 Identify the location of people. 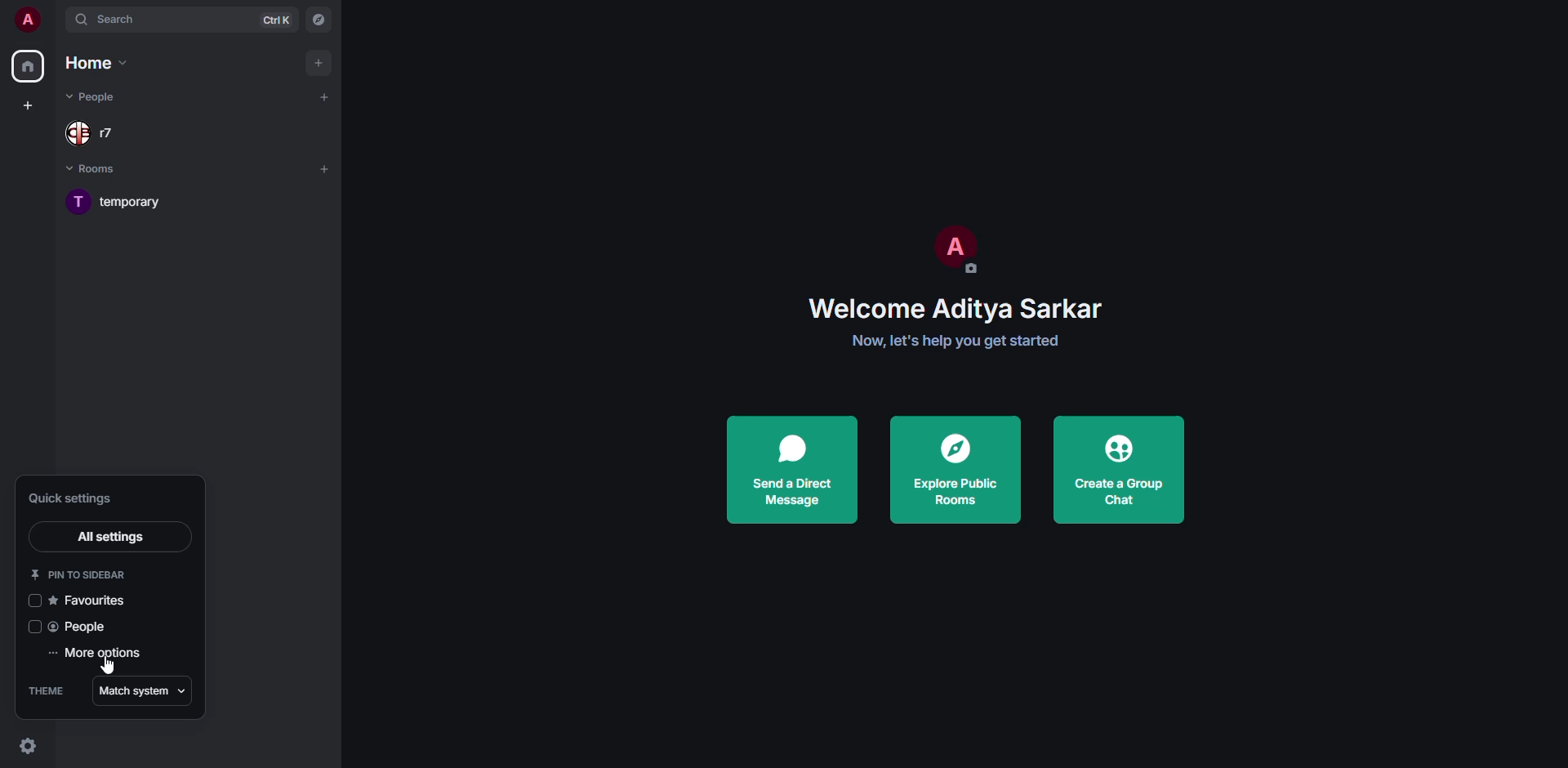
(100, 132).